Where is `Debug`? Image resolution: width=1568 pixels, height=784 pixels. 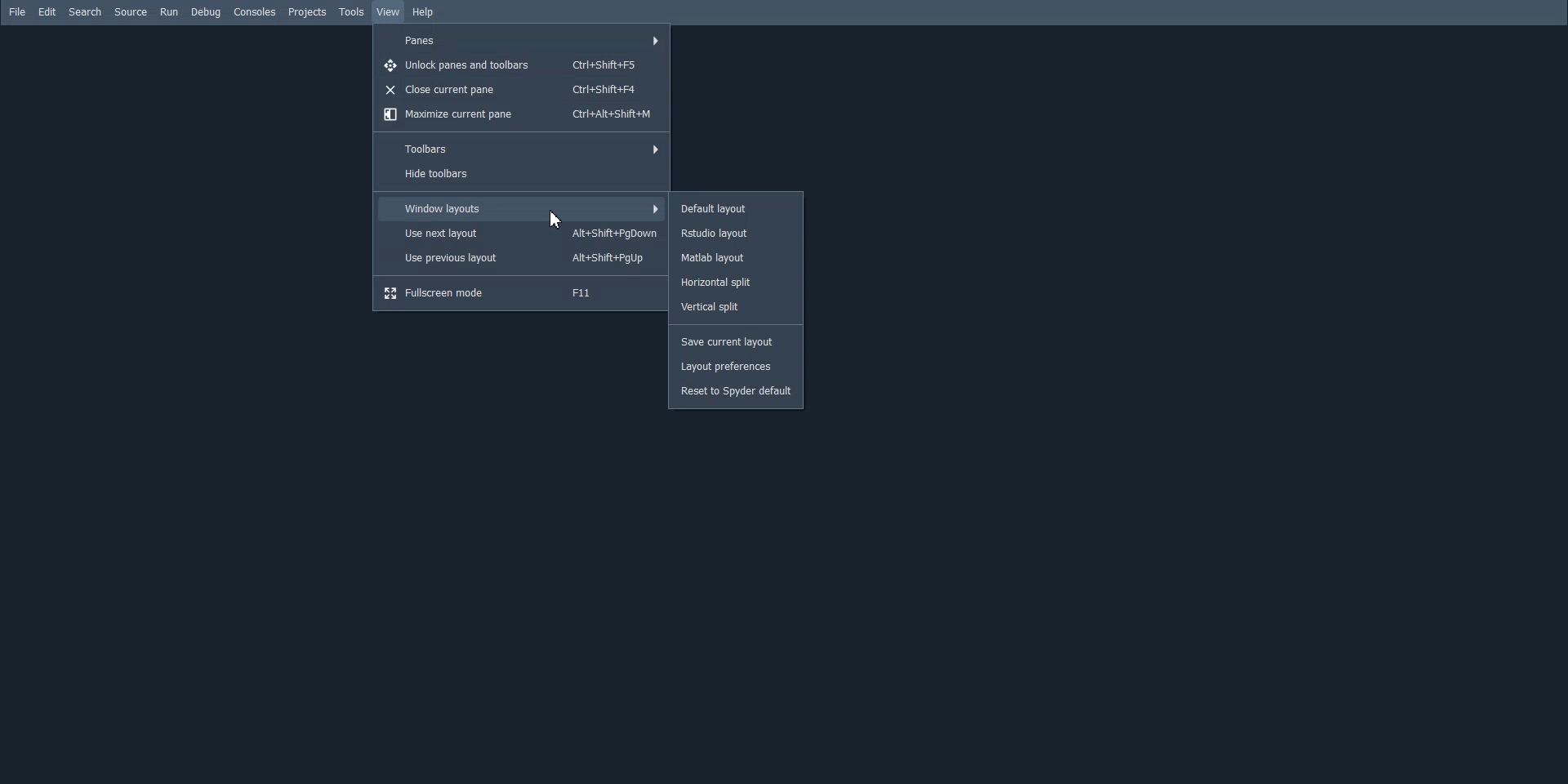
Debug is located at coordinates (206, 12).